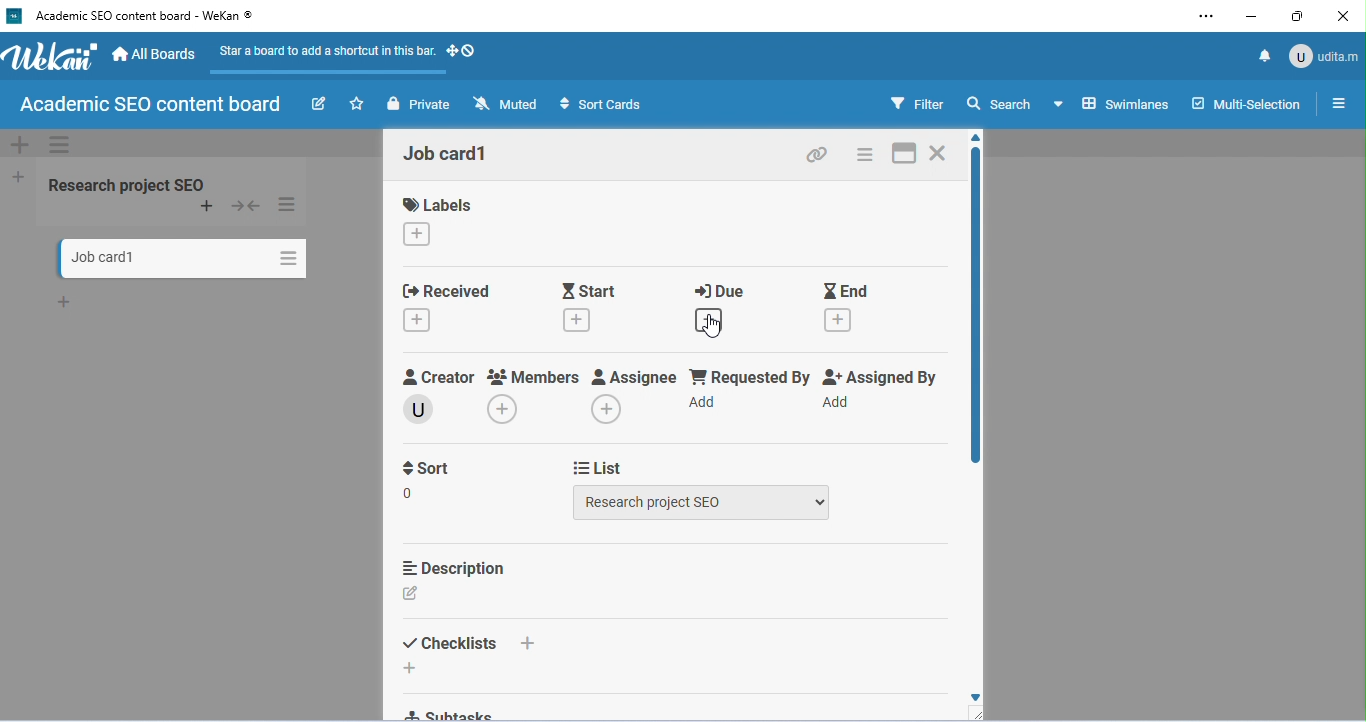 The image size is (1366, 722). I want to click on edit sort, so click(412, 494).